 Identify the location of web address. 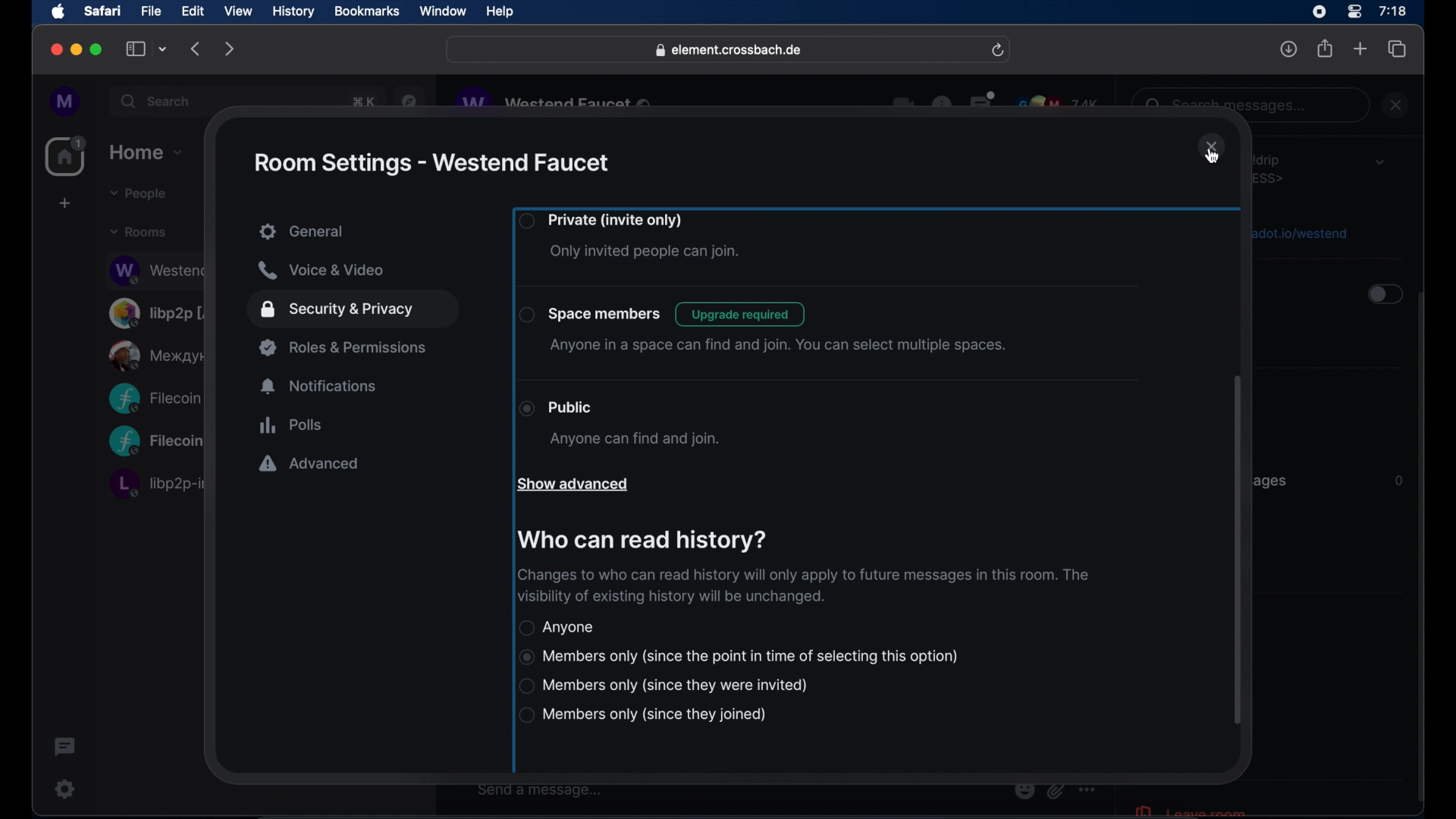
(730, 51).